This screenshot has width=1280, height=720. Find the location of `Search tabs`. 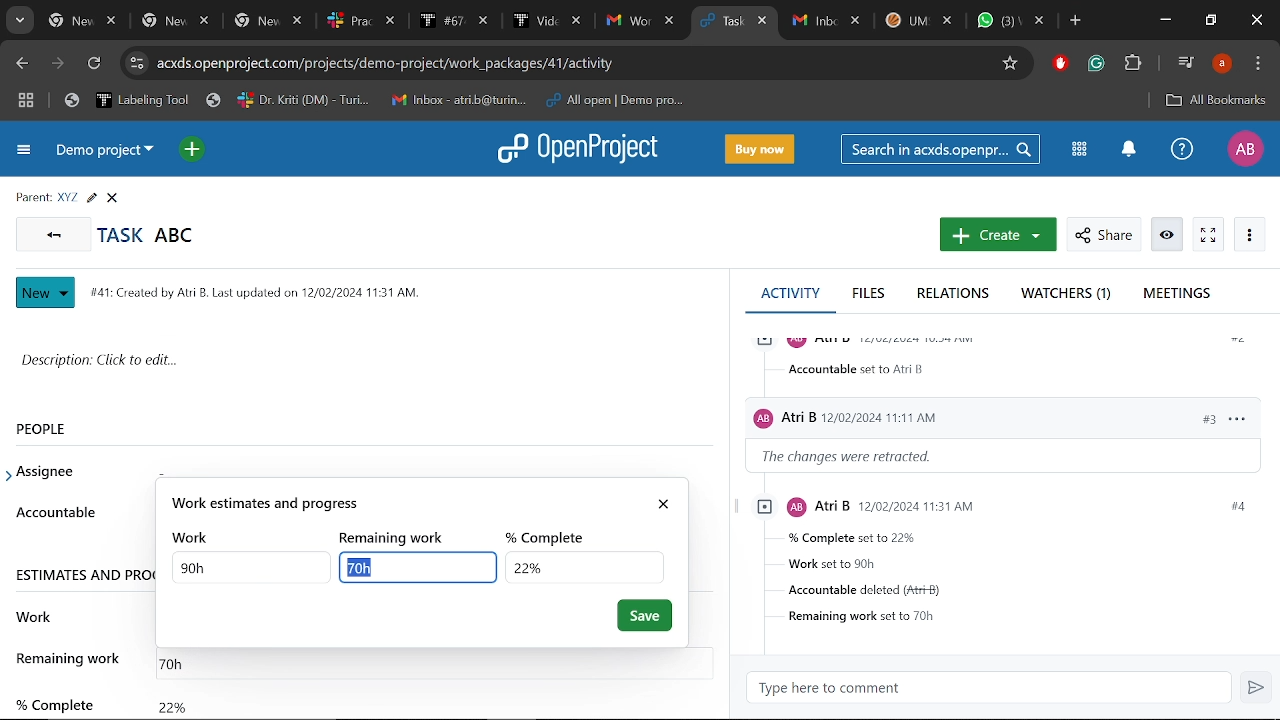

Search tabs is located at coordinates (22, 22).